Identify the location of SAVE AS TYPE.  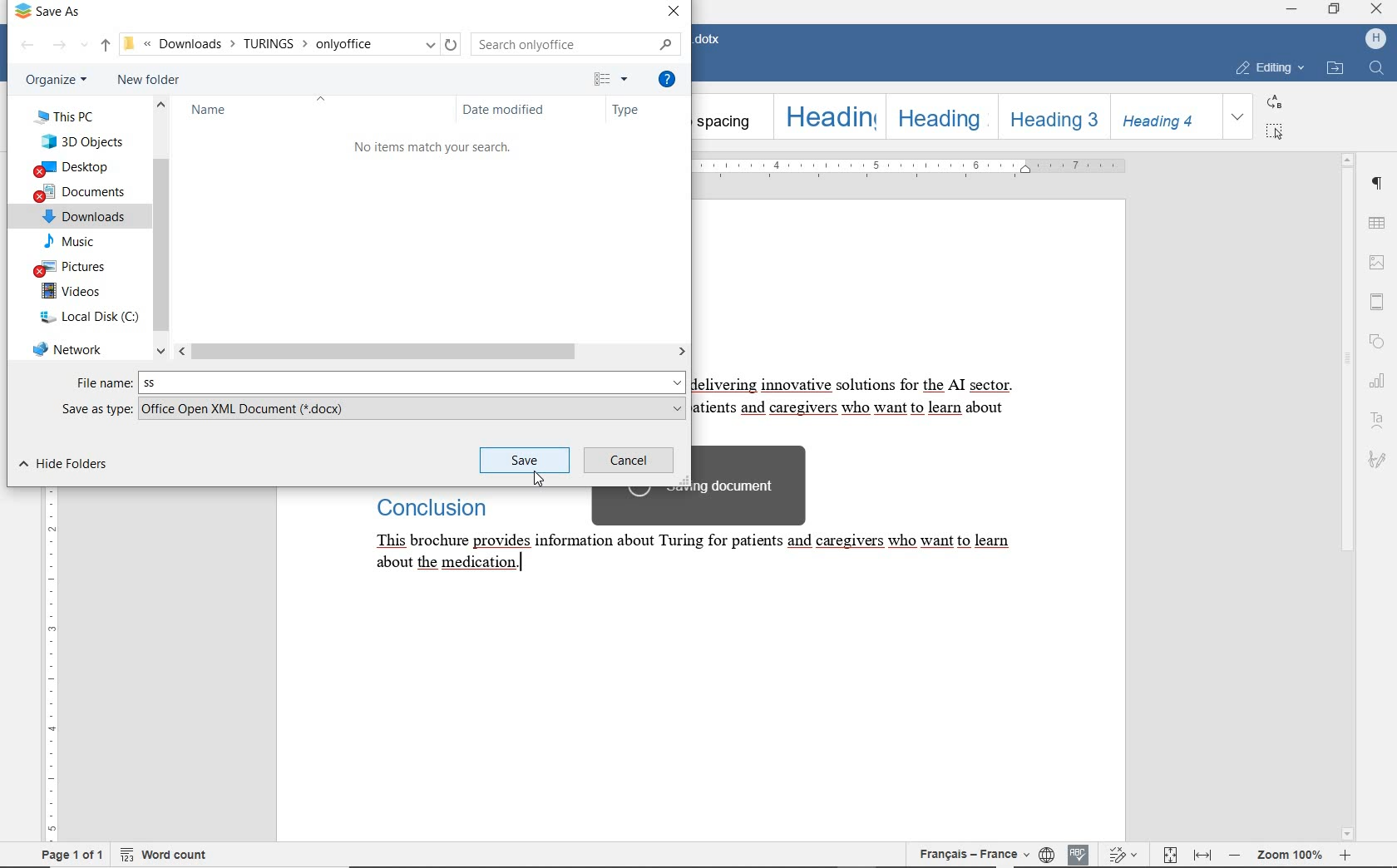
(98, 410).